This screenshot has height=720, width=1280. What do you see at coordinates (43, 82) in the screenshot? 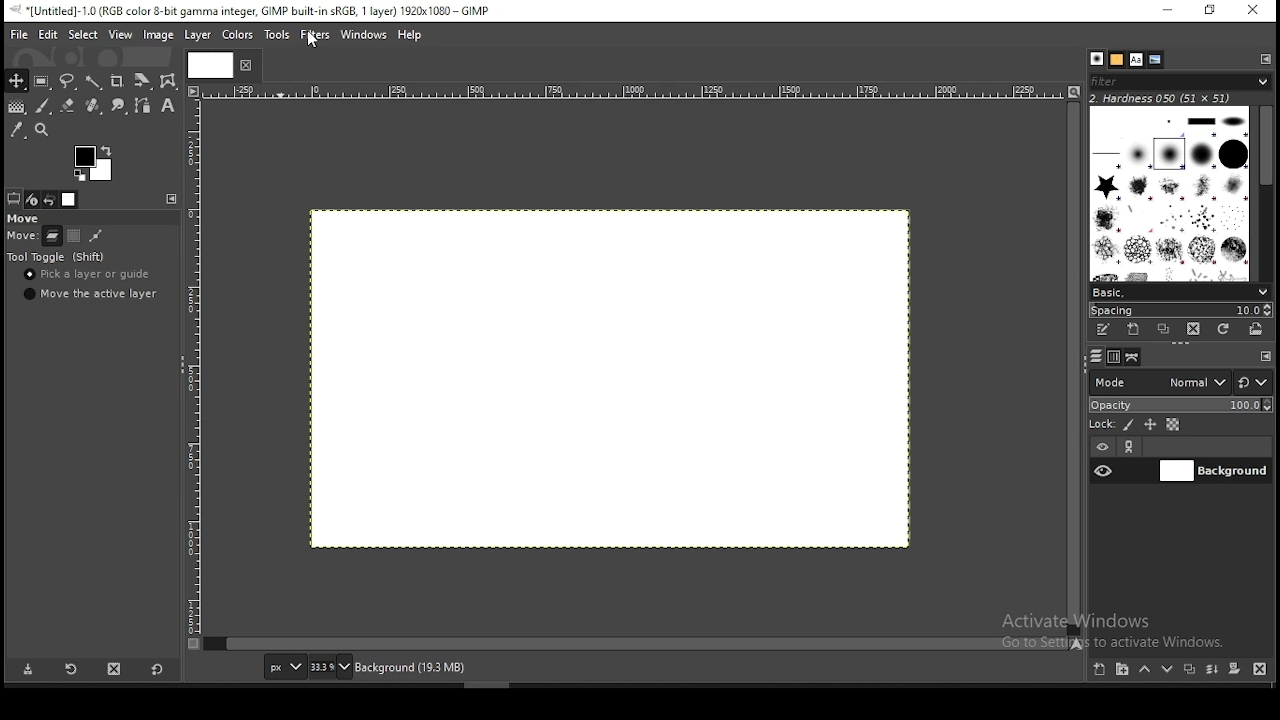
I see `rectangular selection tool` at bounding box center [43, 82].